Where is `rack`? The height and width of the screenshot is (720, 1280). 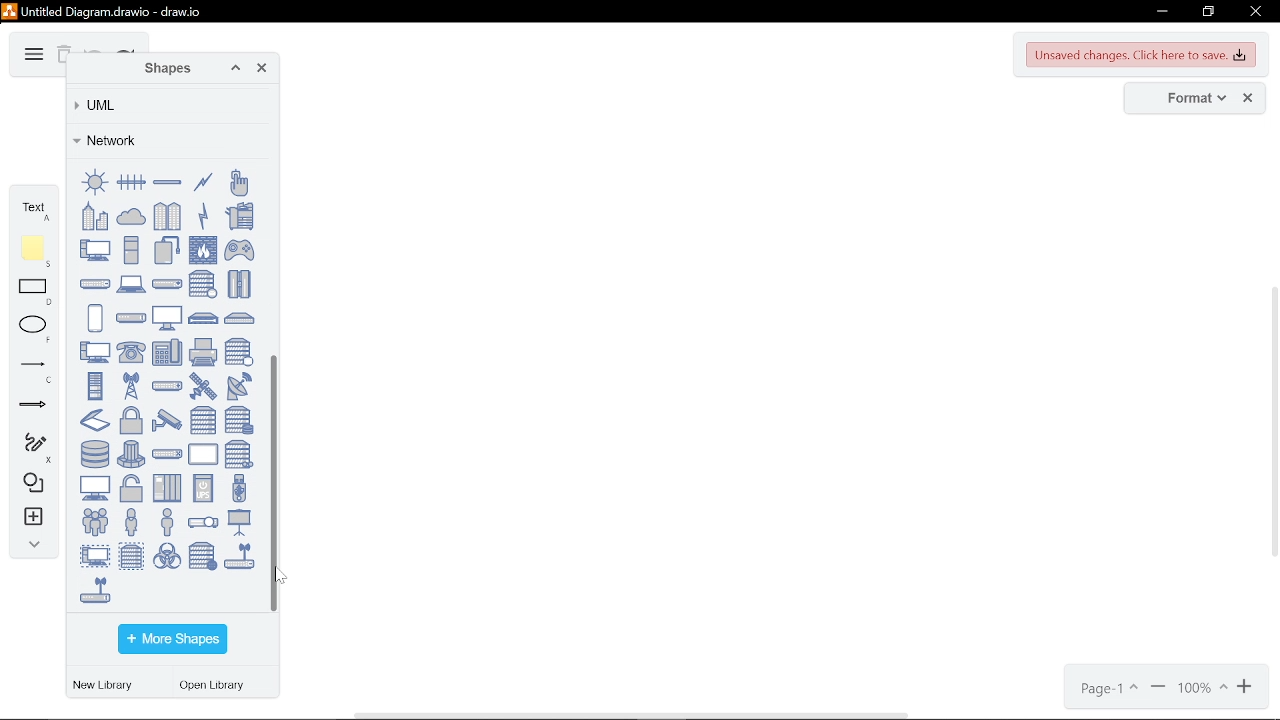
rack is located at coordinates (95, 385).